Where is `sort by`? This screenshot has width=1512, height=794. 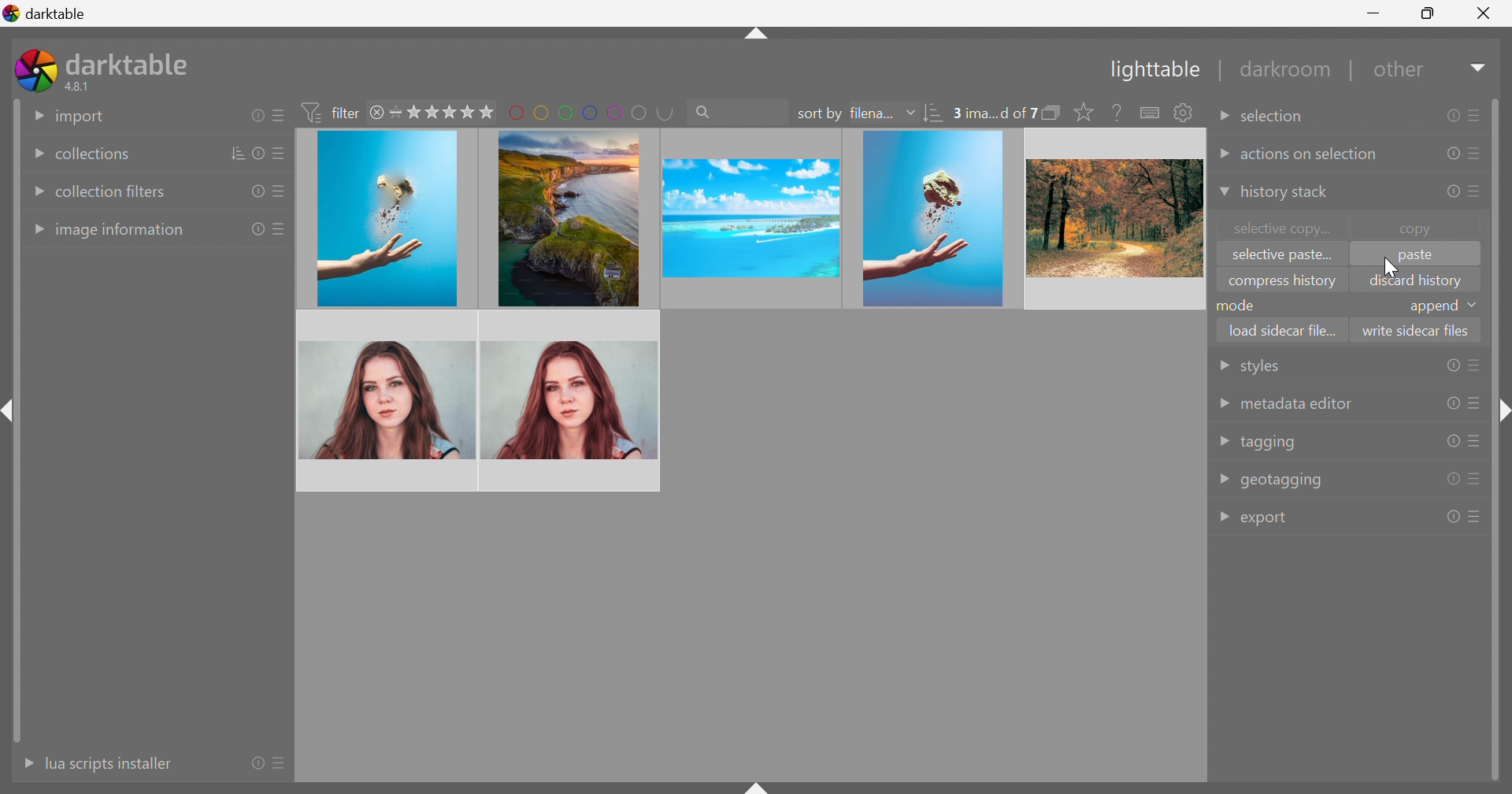 sort by is located at coordinates (819, 114).